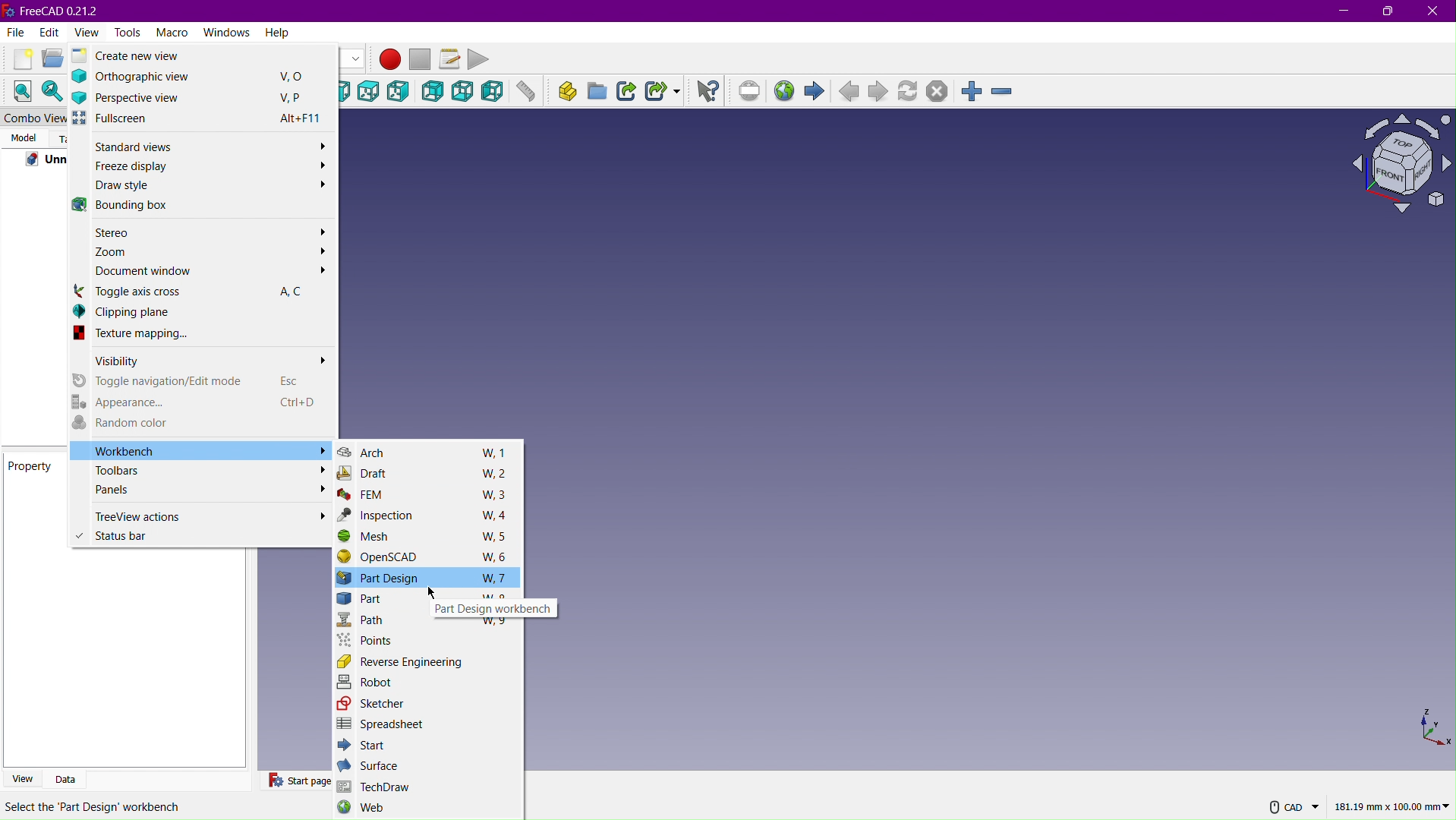 This screenshot has height=820, width=1456. I want to click on Measure distance, so click(531, 91).